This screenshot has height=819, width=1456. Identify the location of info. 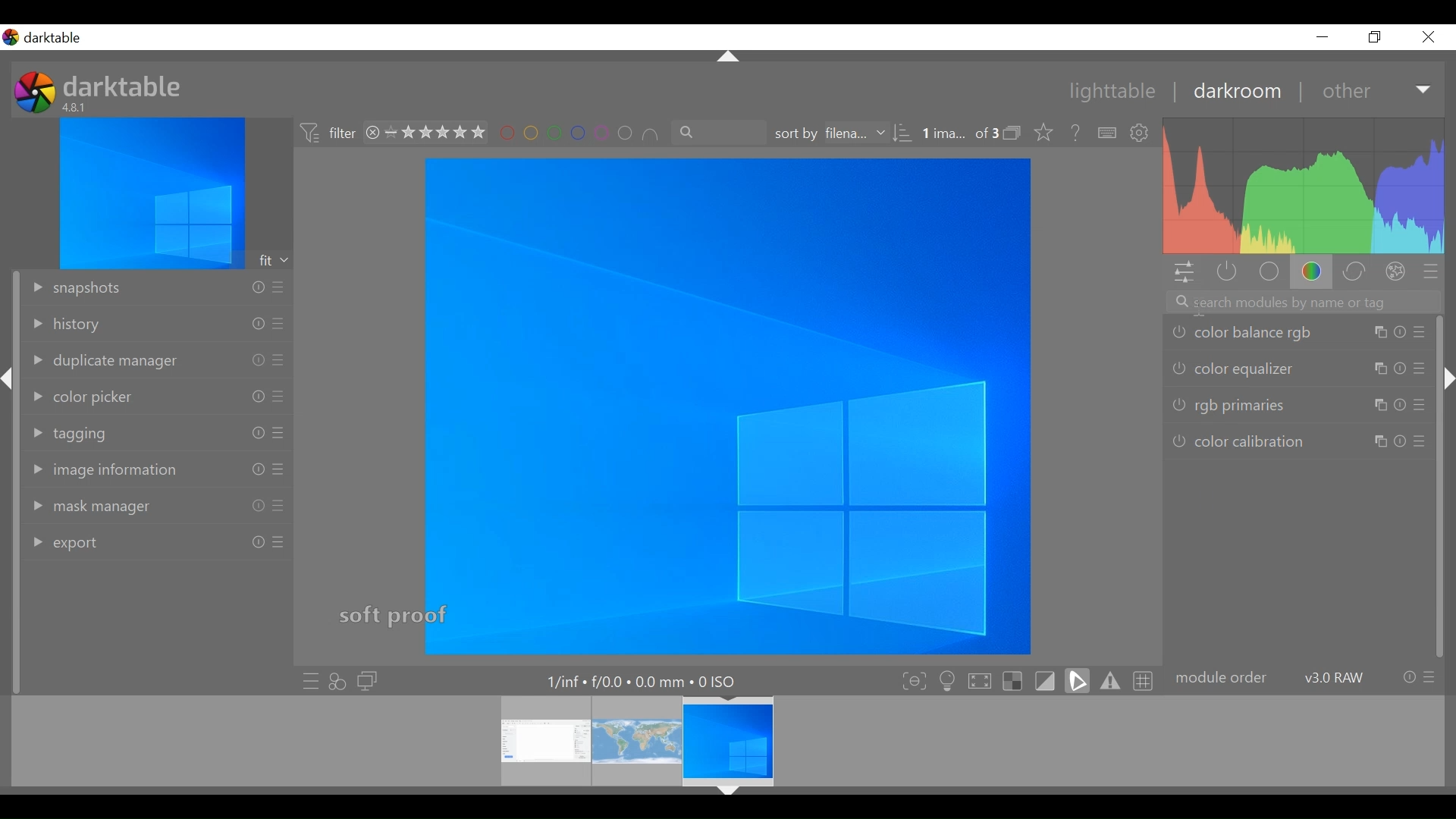
(257, 360).